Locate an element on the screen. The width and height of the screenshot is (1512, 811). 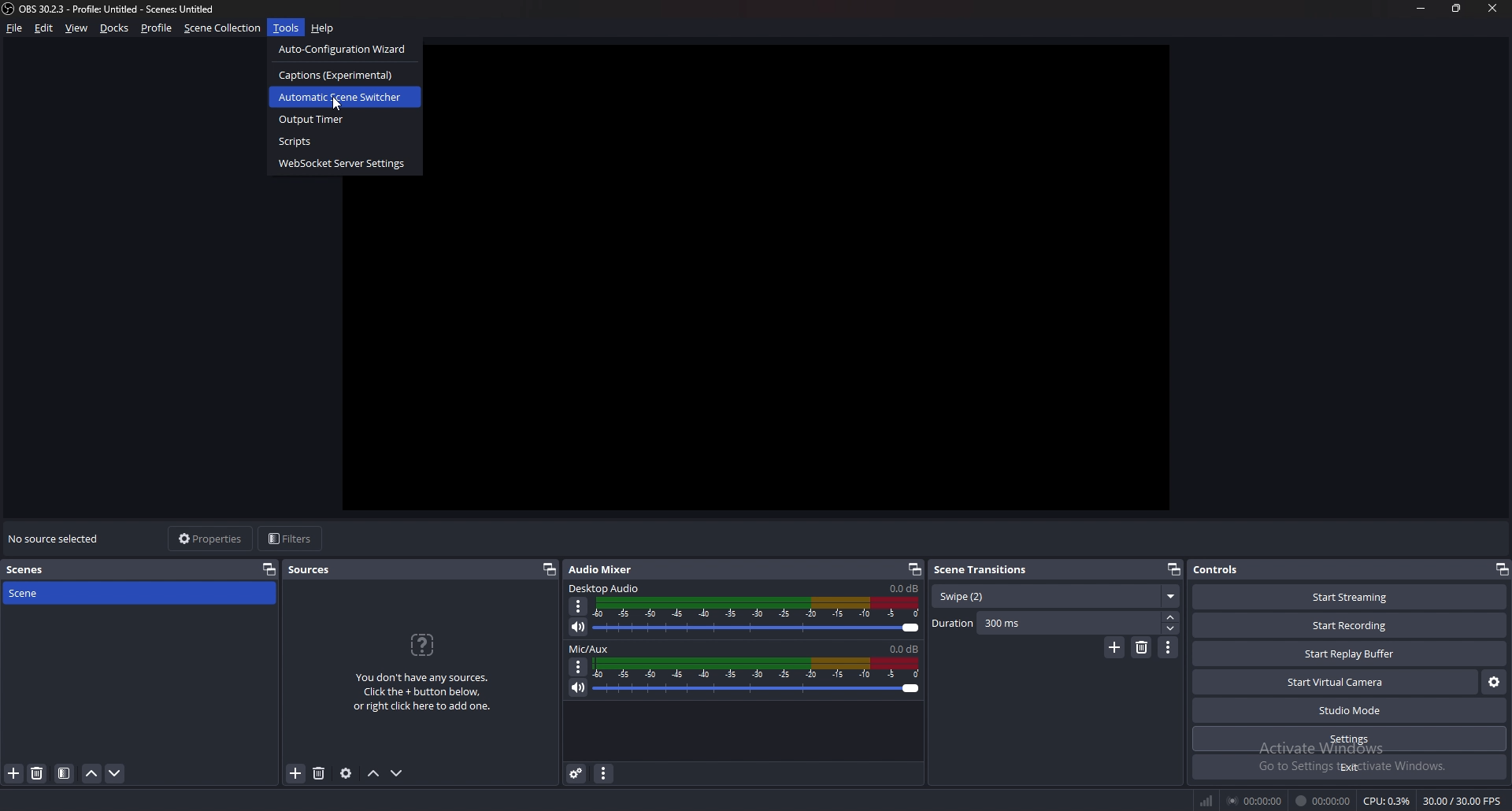
properties is located at coordinates (212, 539).